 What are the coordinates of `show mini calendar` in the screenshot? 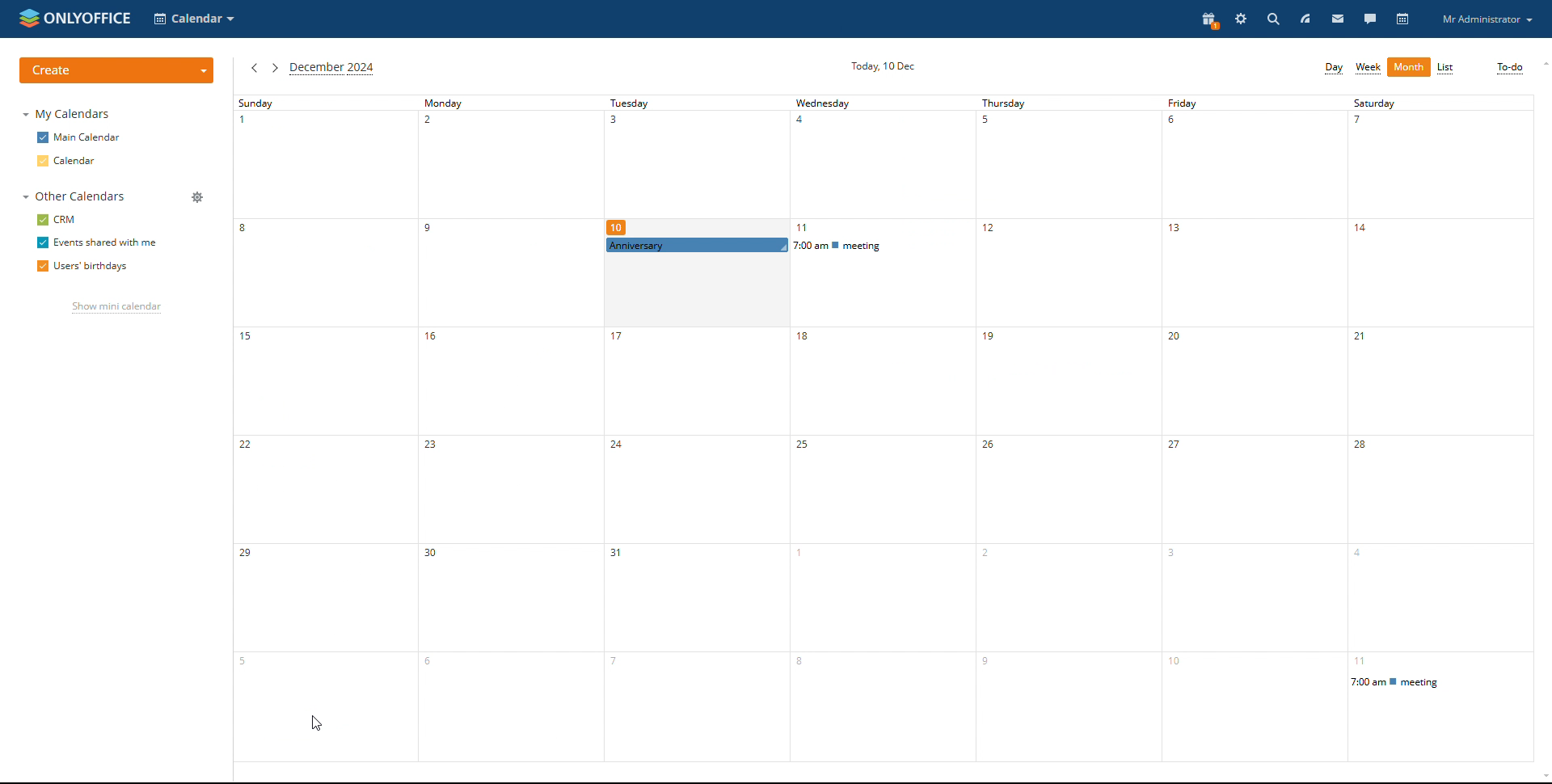 It's located at (116, 309).